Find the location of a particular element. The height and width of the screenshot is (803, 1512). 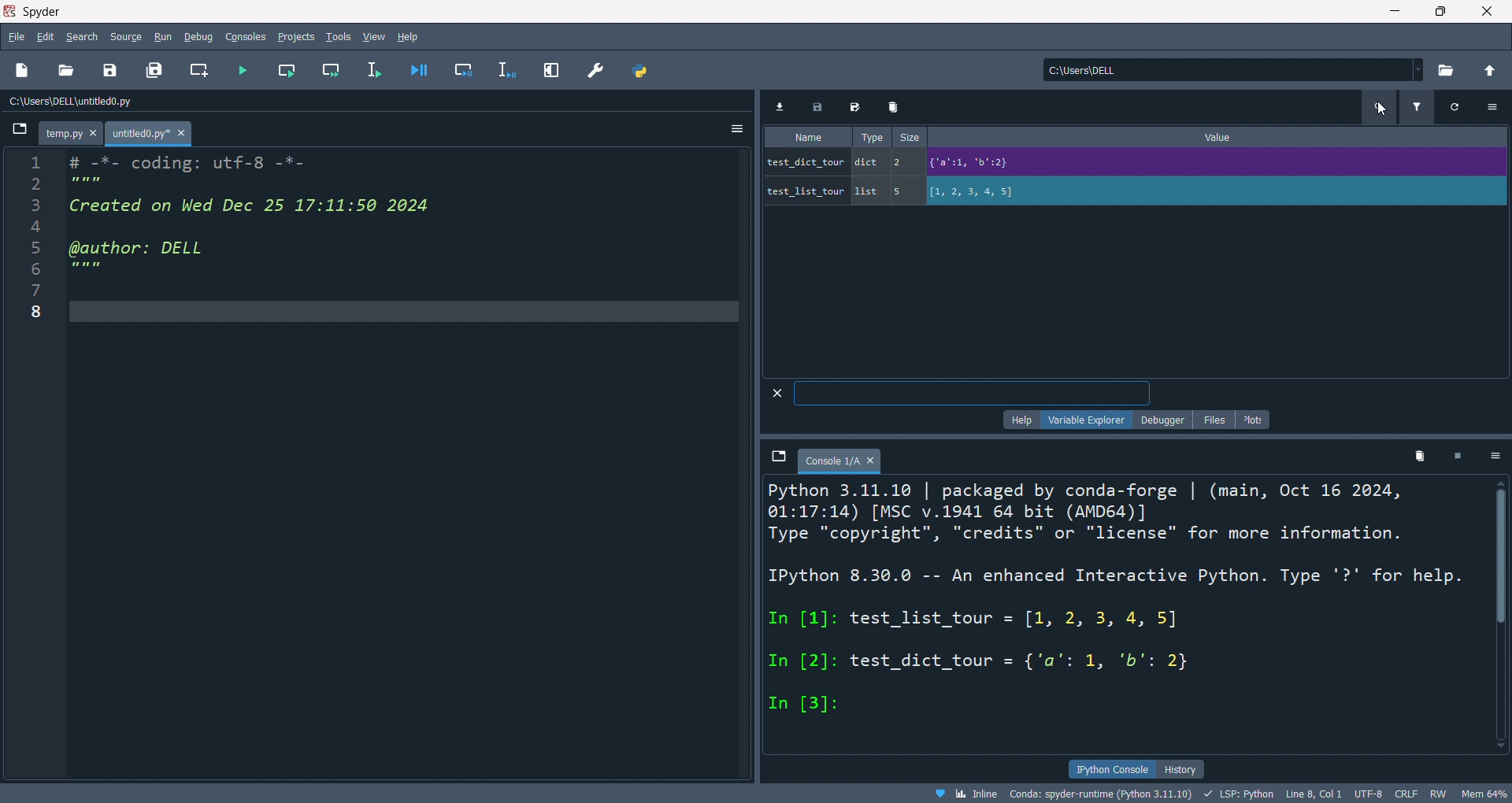

file data is located at coordinates (760, 792).